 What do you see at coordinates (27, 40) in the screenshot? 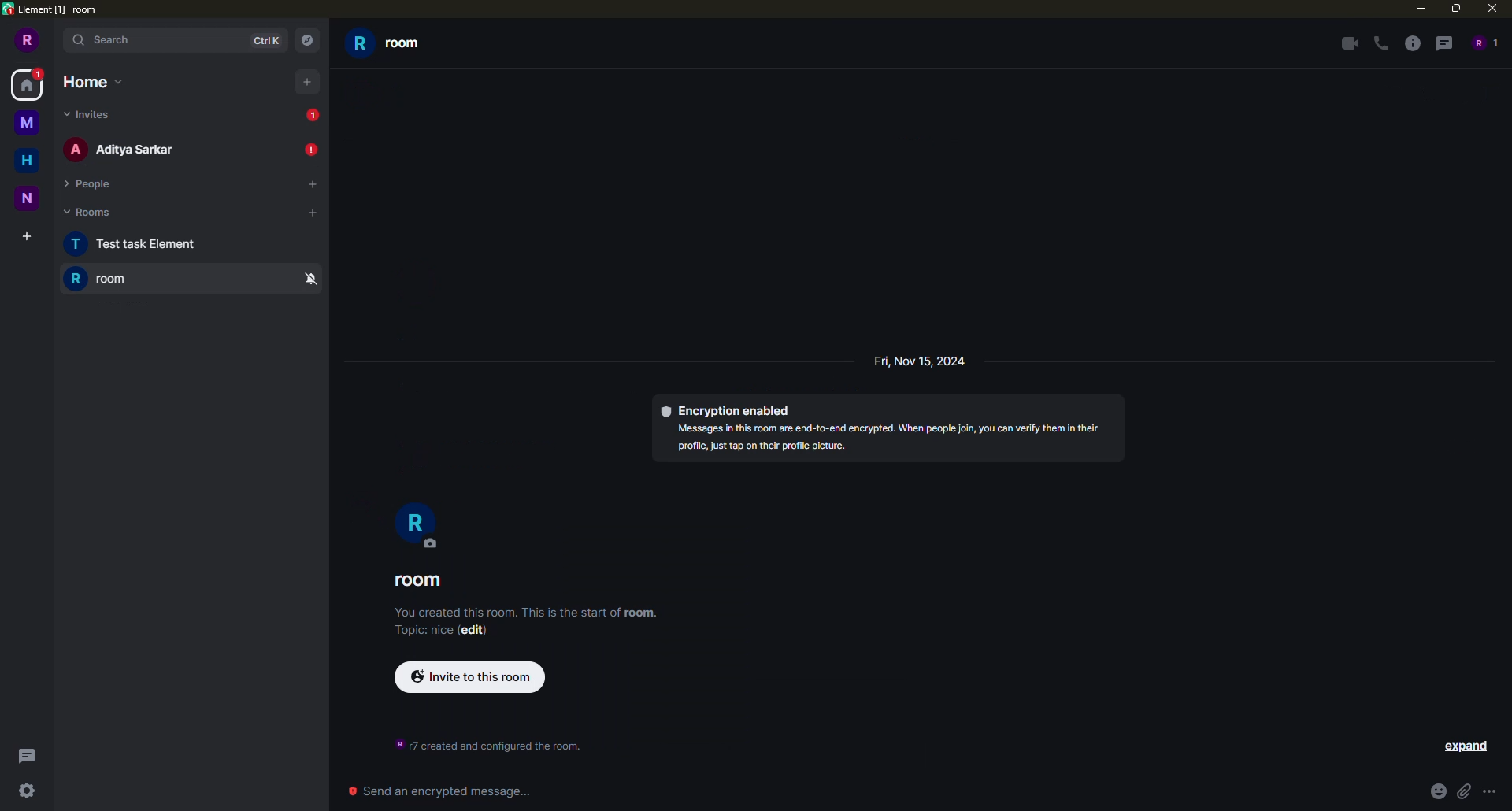
I see `account` at bounding box center [27, 40].